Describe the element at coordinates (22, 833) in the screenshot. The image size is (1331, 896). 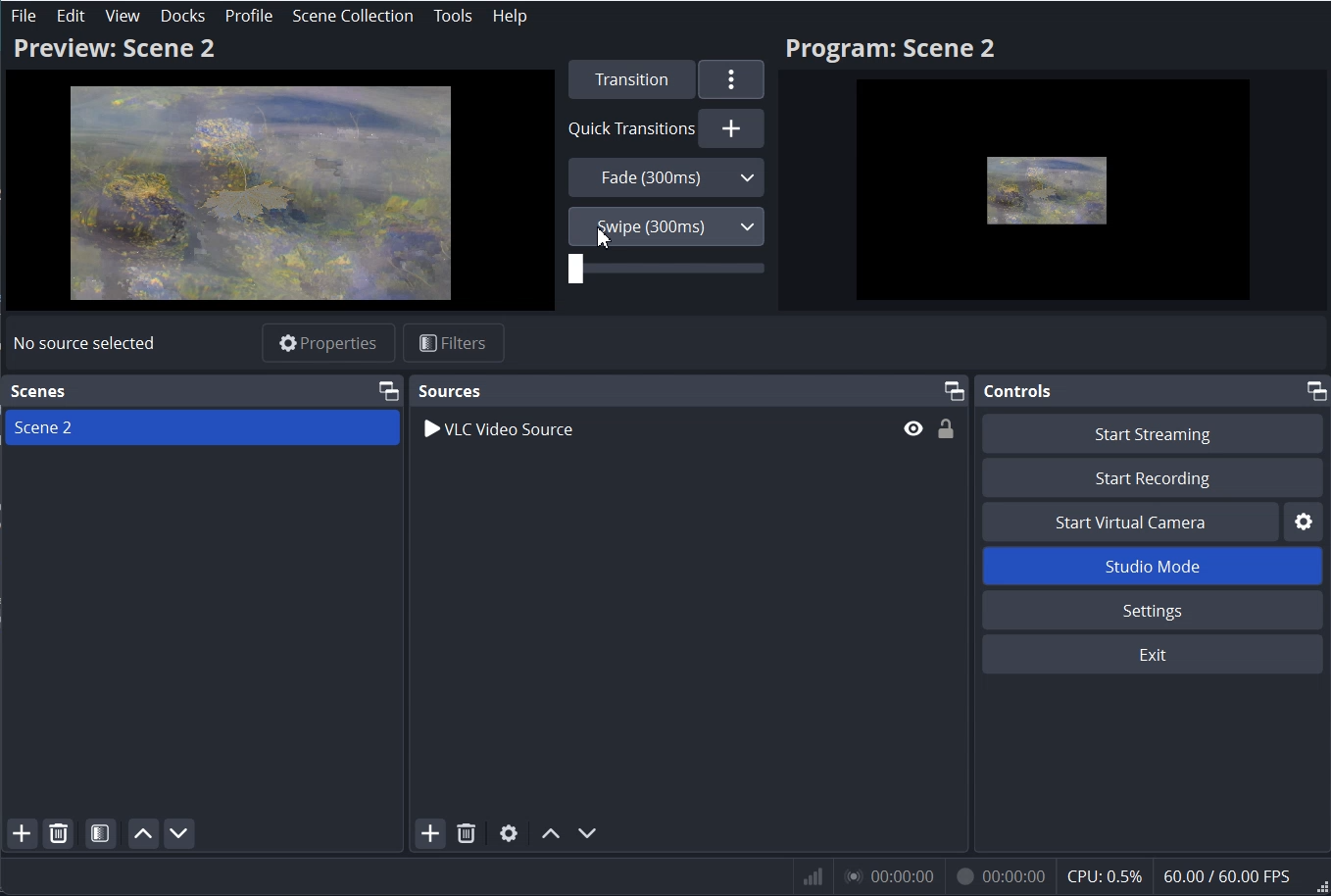
I see `Add Scene` at that location.